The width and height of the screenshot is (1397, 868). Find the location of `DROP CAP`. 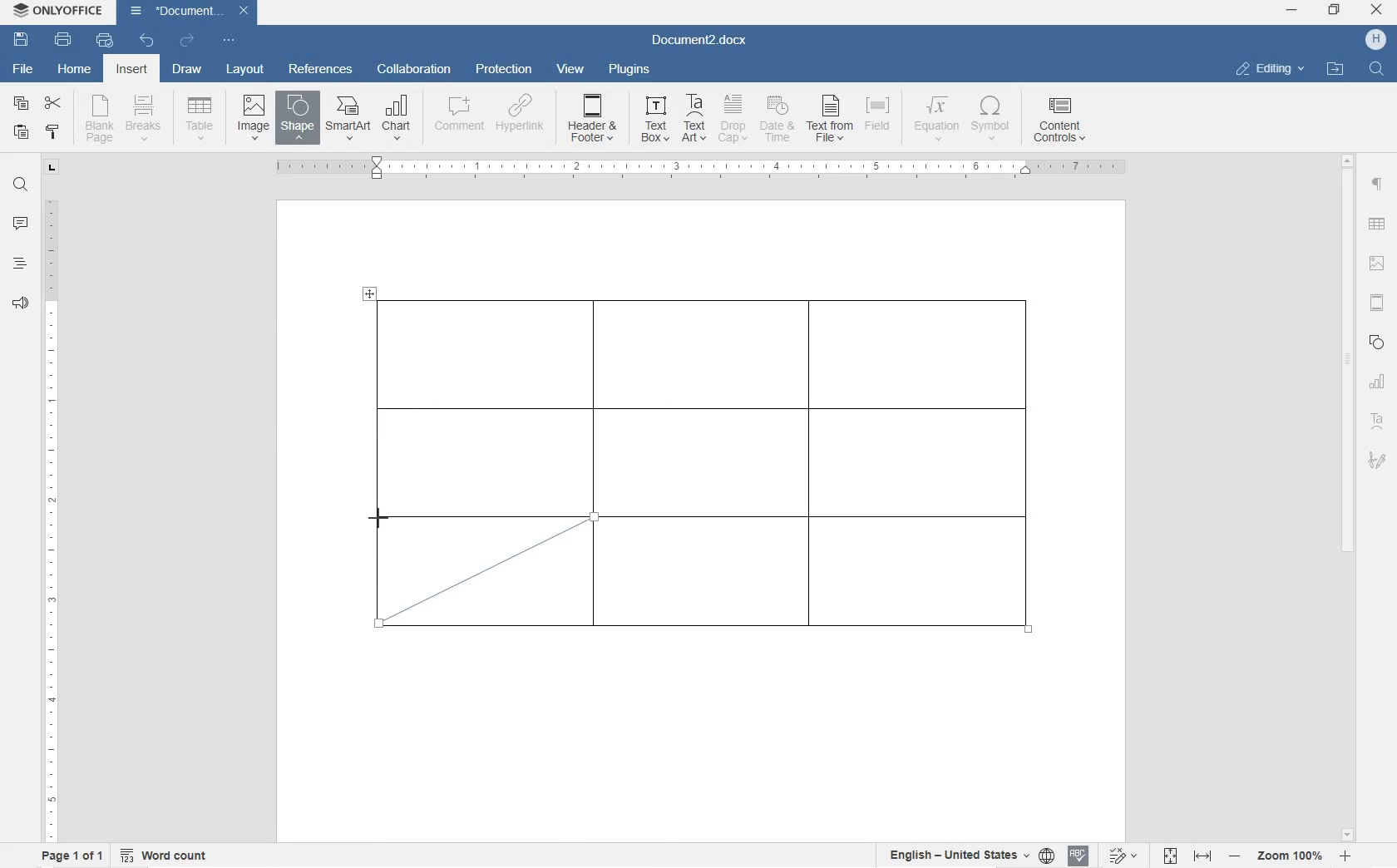

DROP CAP is located at coordinates (734, 121).